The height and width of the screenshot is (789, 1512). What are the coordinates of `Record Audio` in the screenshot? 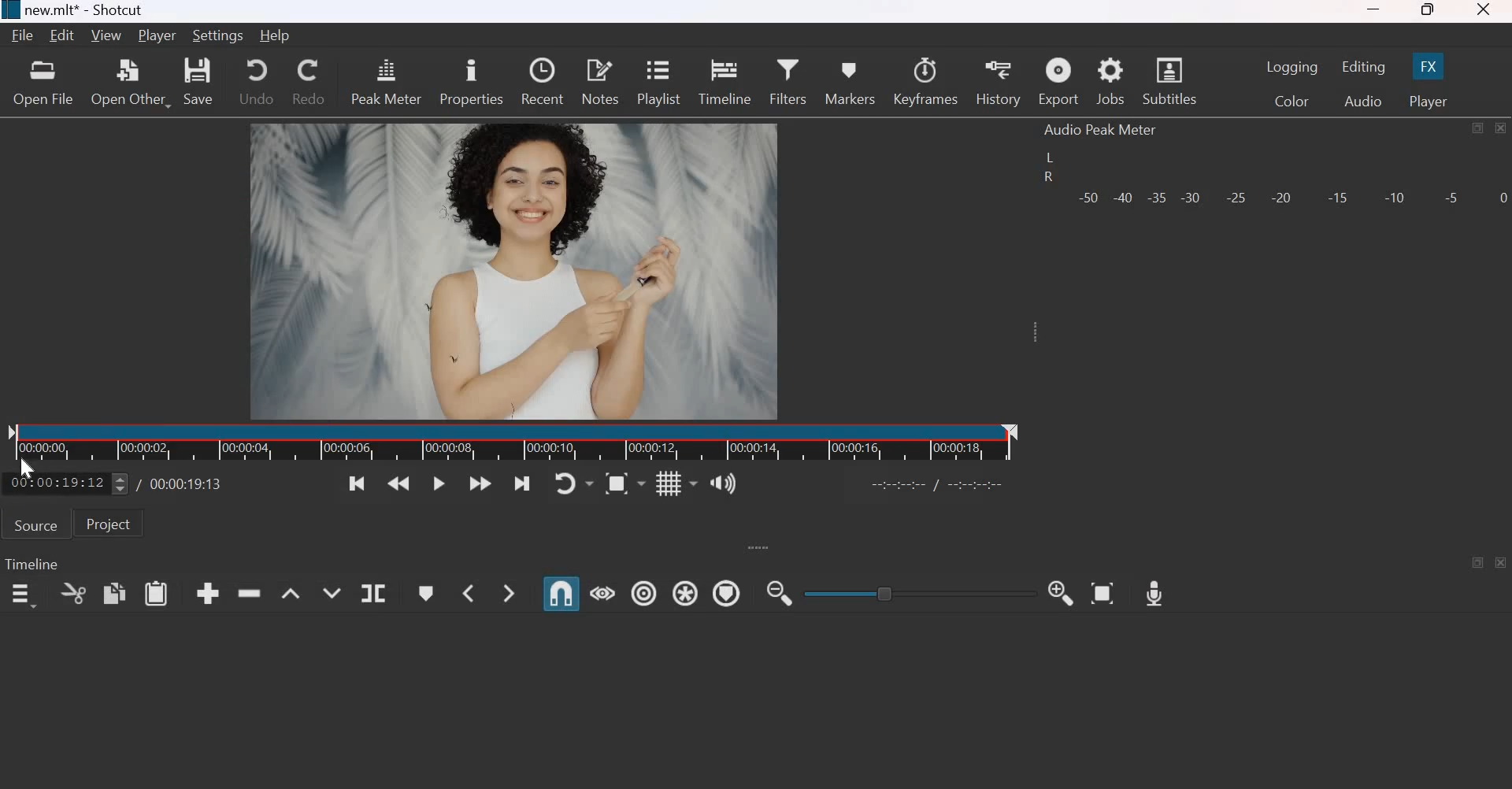 It's located at (1153, 589).